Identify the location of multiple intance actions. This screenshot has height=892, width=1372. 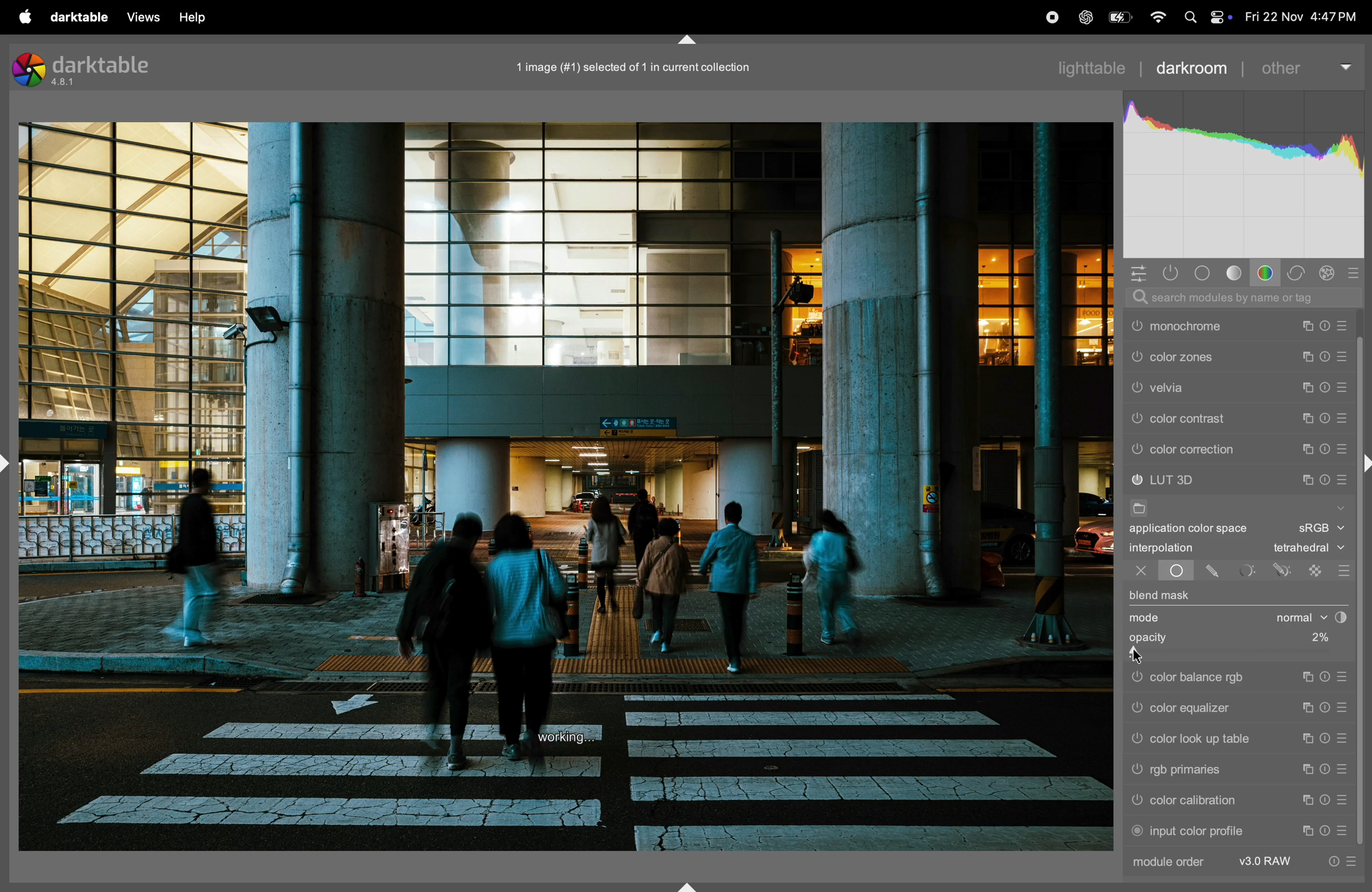
(1306, 354).